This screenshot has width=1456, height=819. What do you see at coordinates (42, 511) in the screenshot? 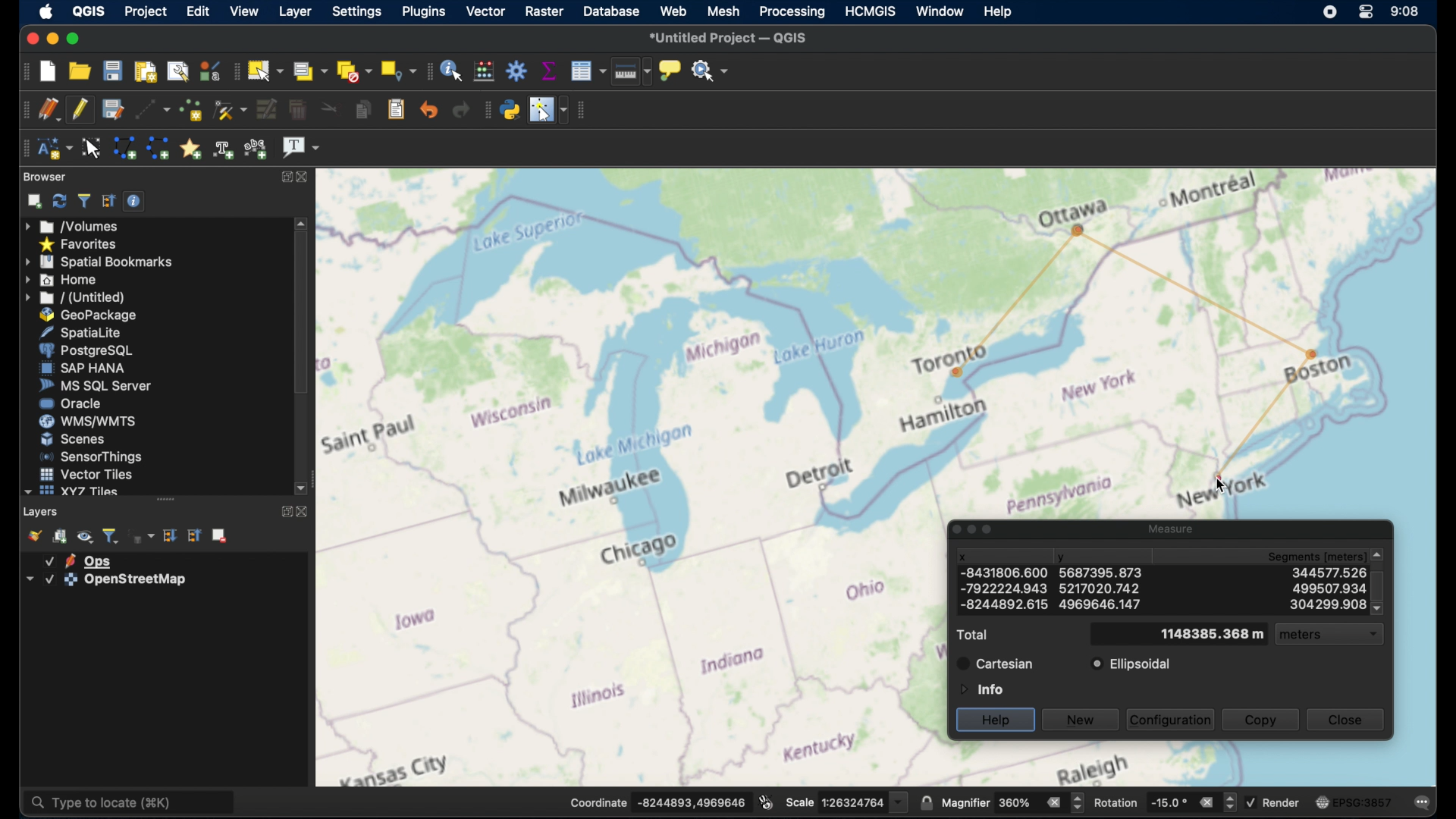
I see `layers` at bounding box center [42, 511].